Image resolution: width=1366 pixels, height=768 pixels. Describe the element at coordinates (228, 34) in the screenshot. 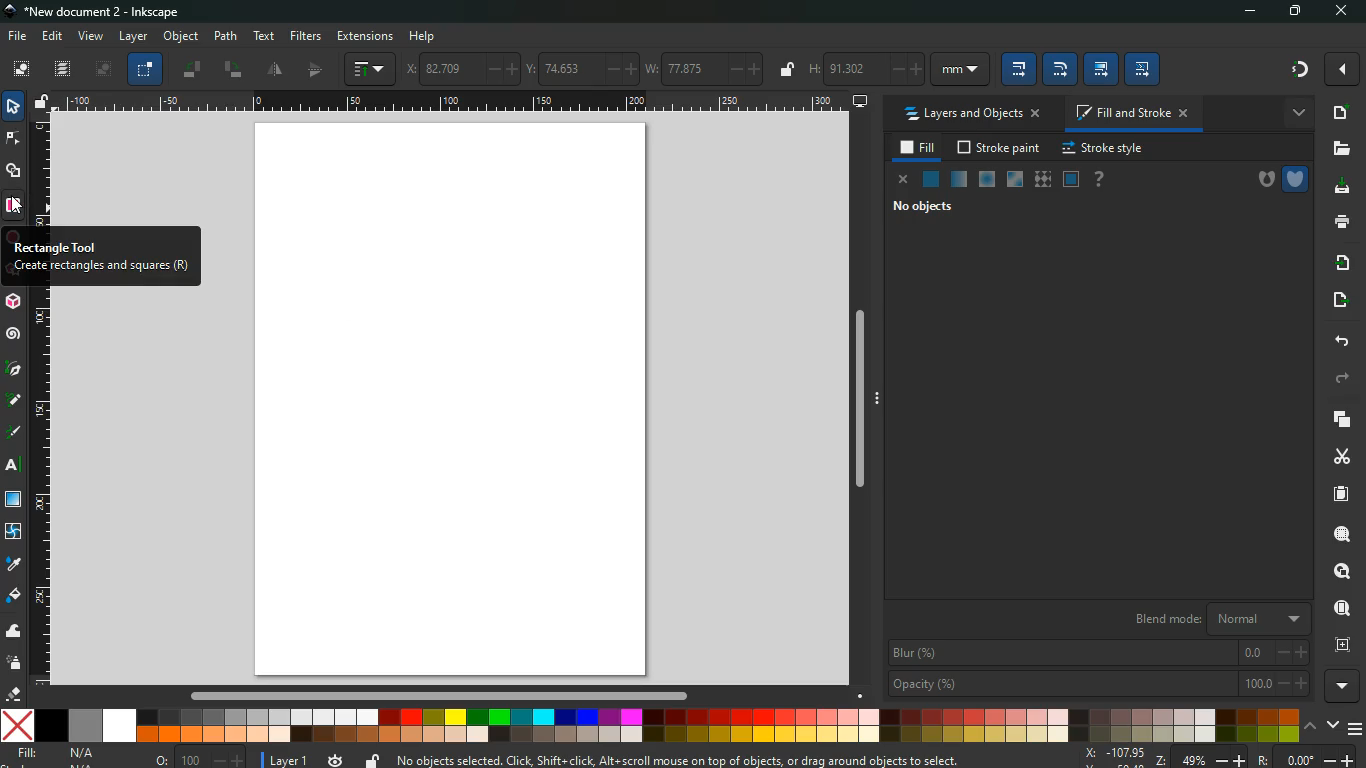

I see `path` at that location.